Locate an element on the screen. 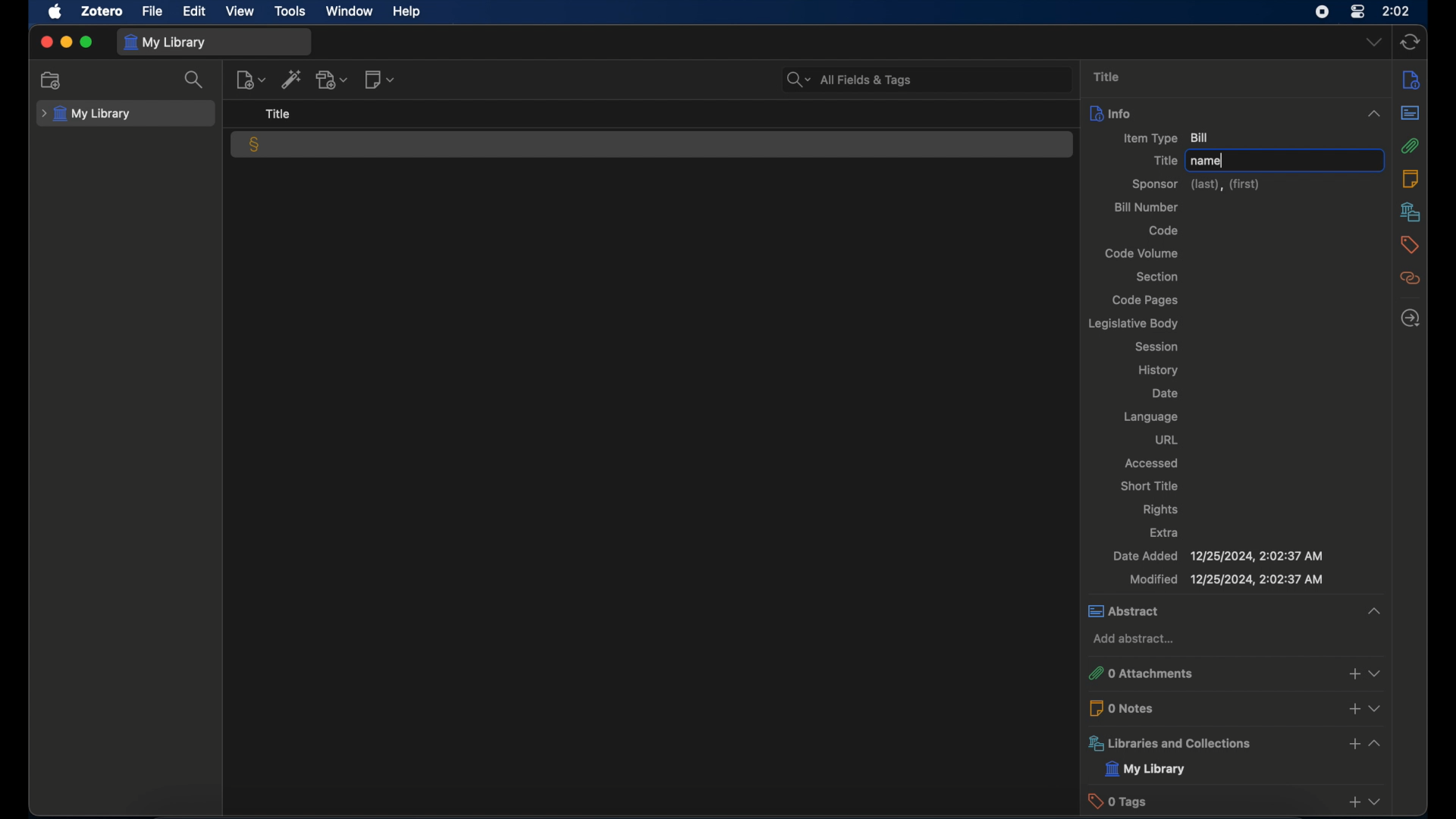 This screenshot has height=819, width=1456. code volum is located at coordinates (1142, 254).